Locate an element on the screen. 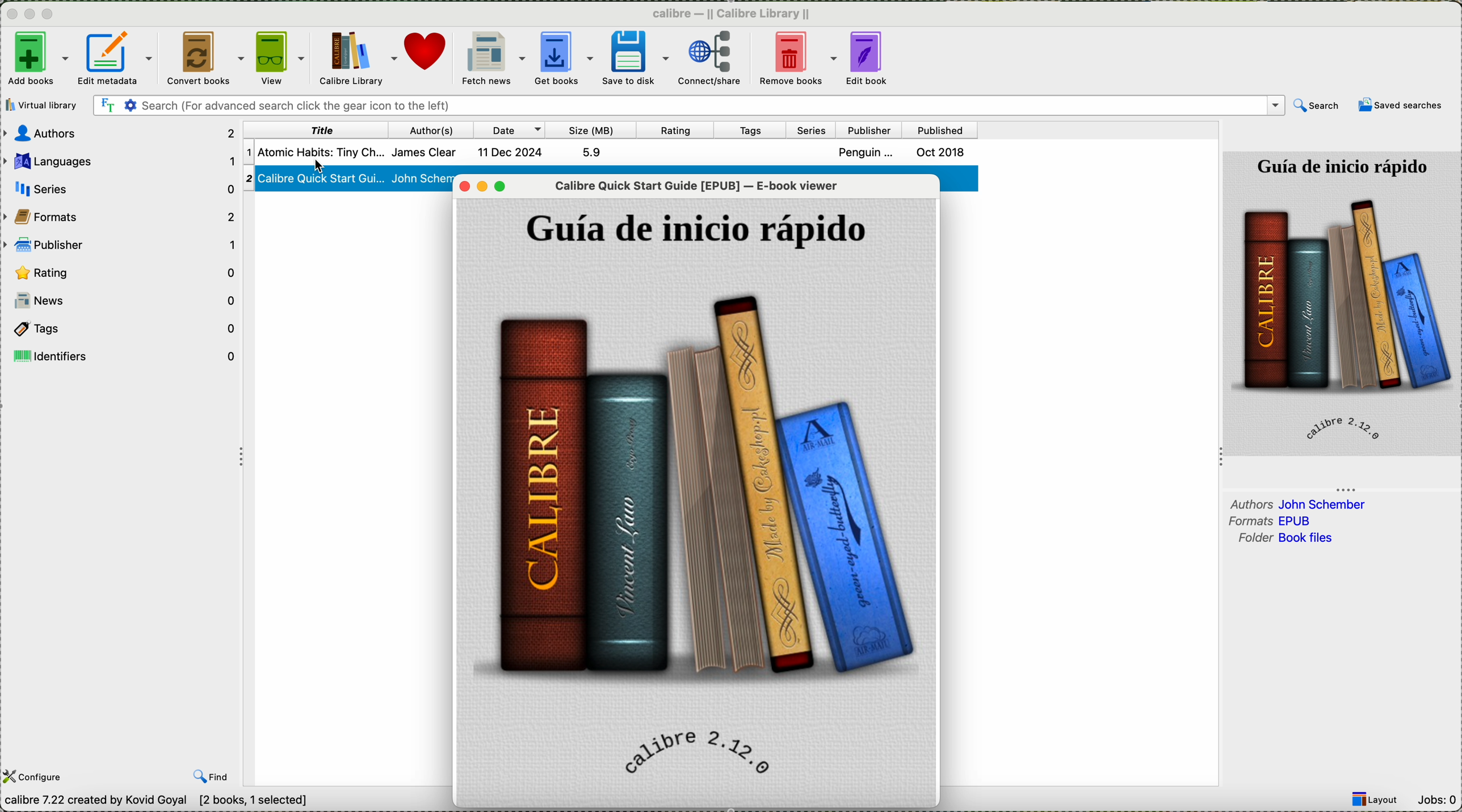 This screenshot has width=1462, height=812. authors john schember is located at coordinates (1296, 504).